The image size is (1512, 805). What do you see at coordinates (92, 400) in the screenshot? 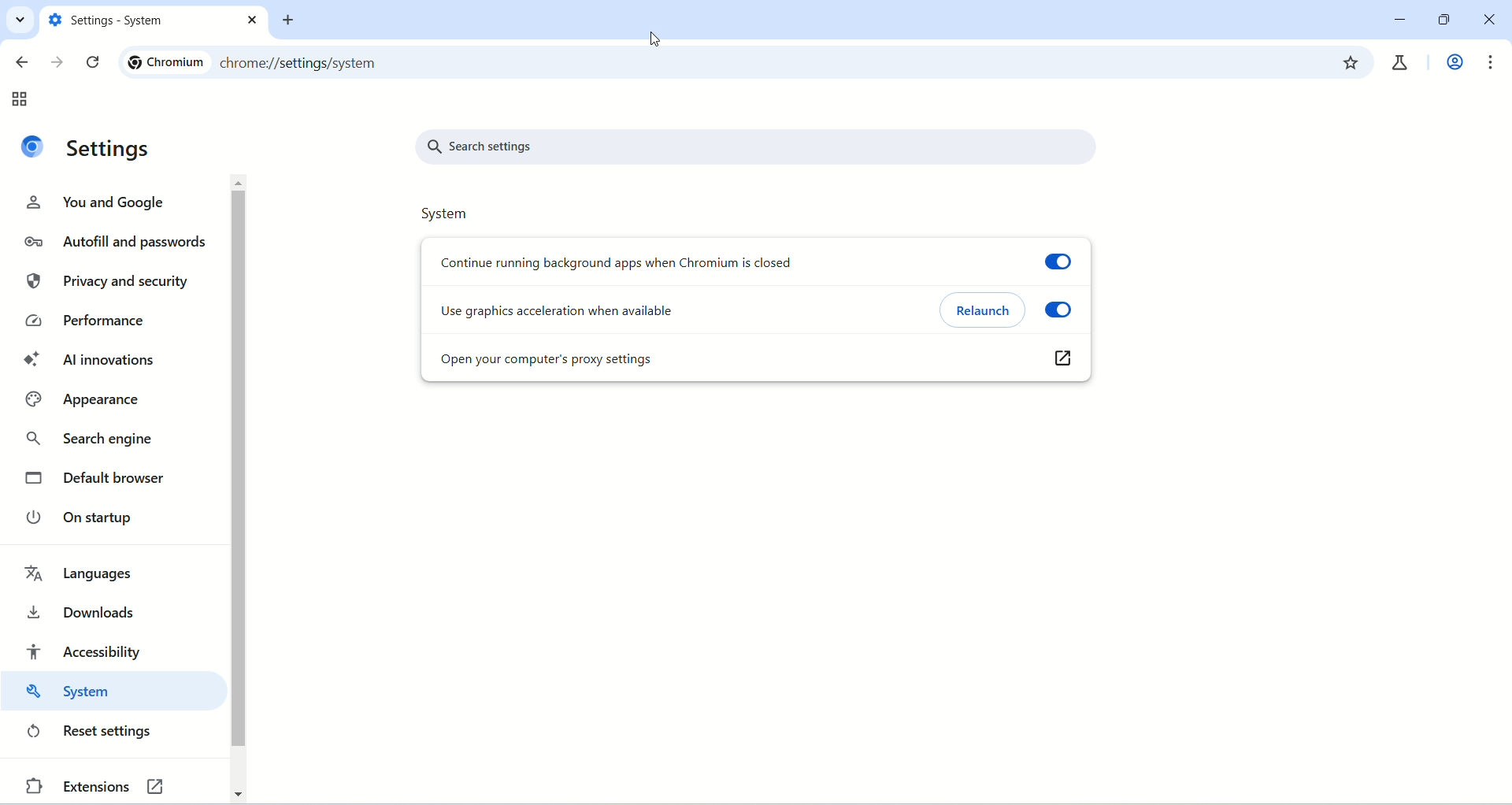
I see `appearance` at bounding box center [92, 400].